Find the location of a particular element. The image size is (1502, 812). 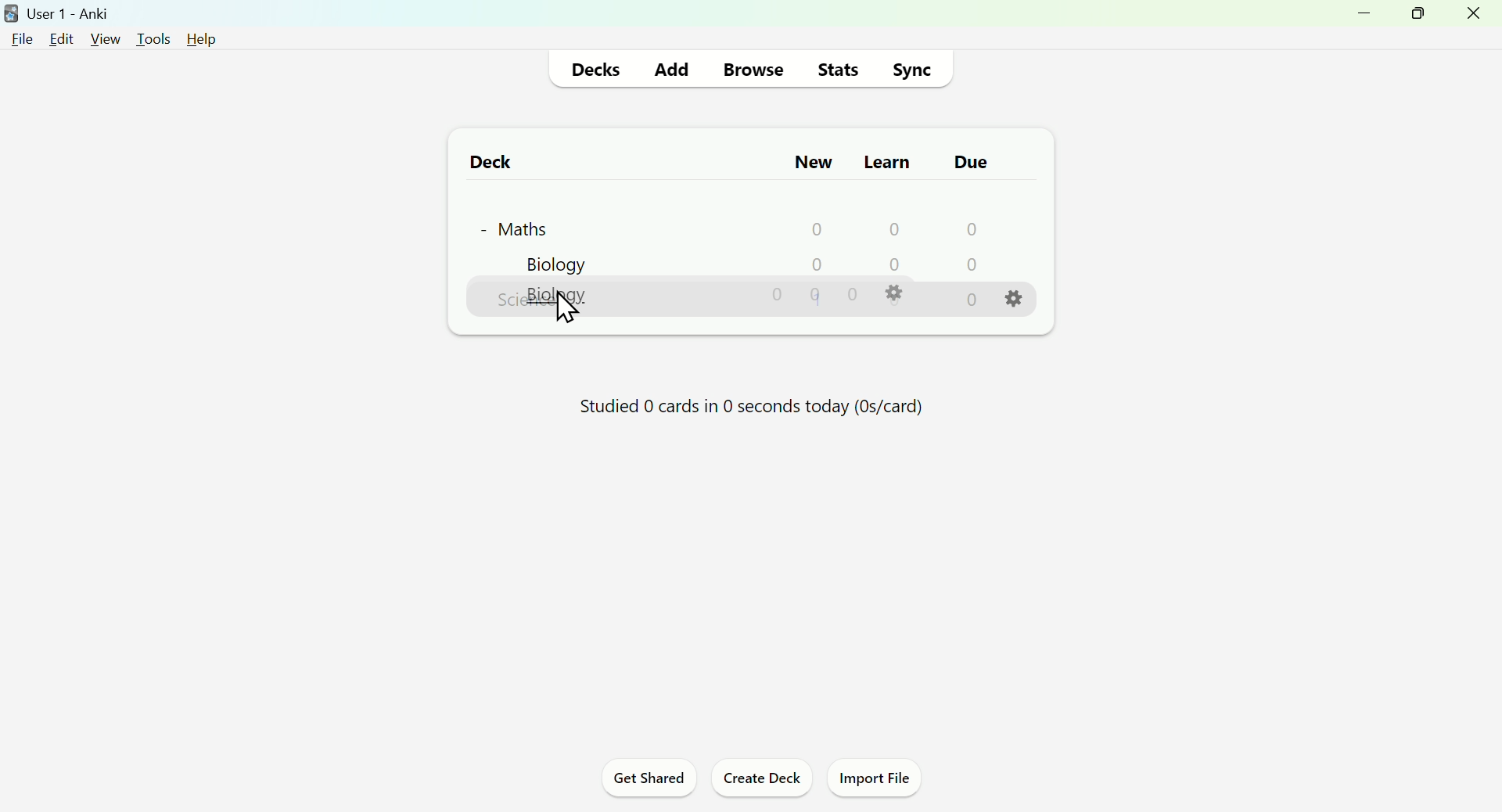

0 is located at coordinates (778, 300).